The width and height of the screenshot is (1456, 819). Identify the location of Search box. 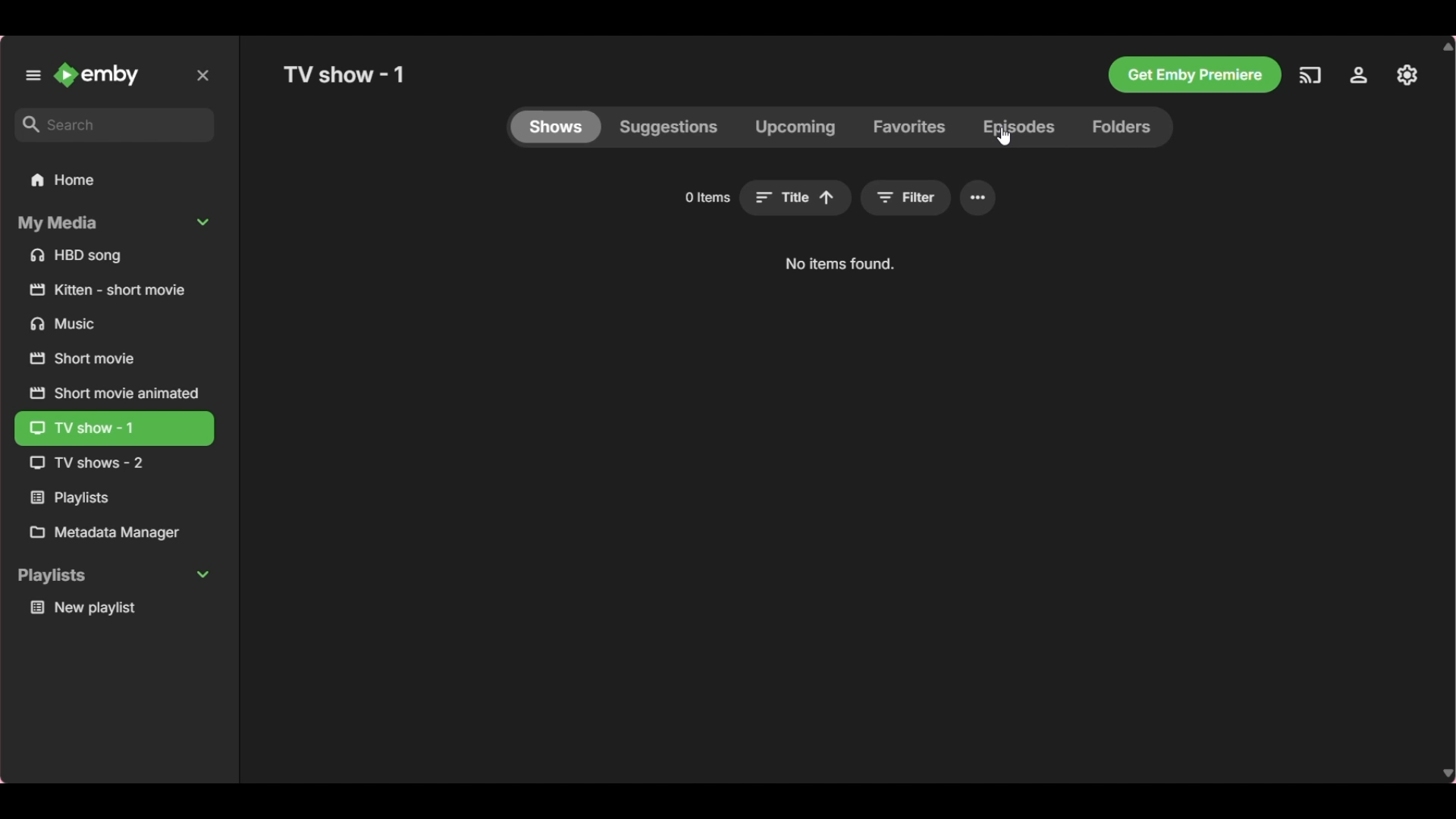
(115, 124).